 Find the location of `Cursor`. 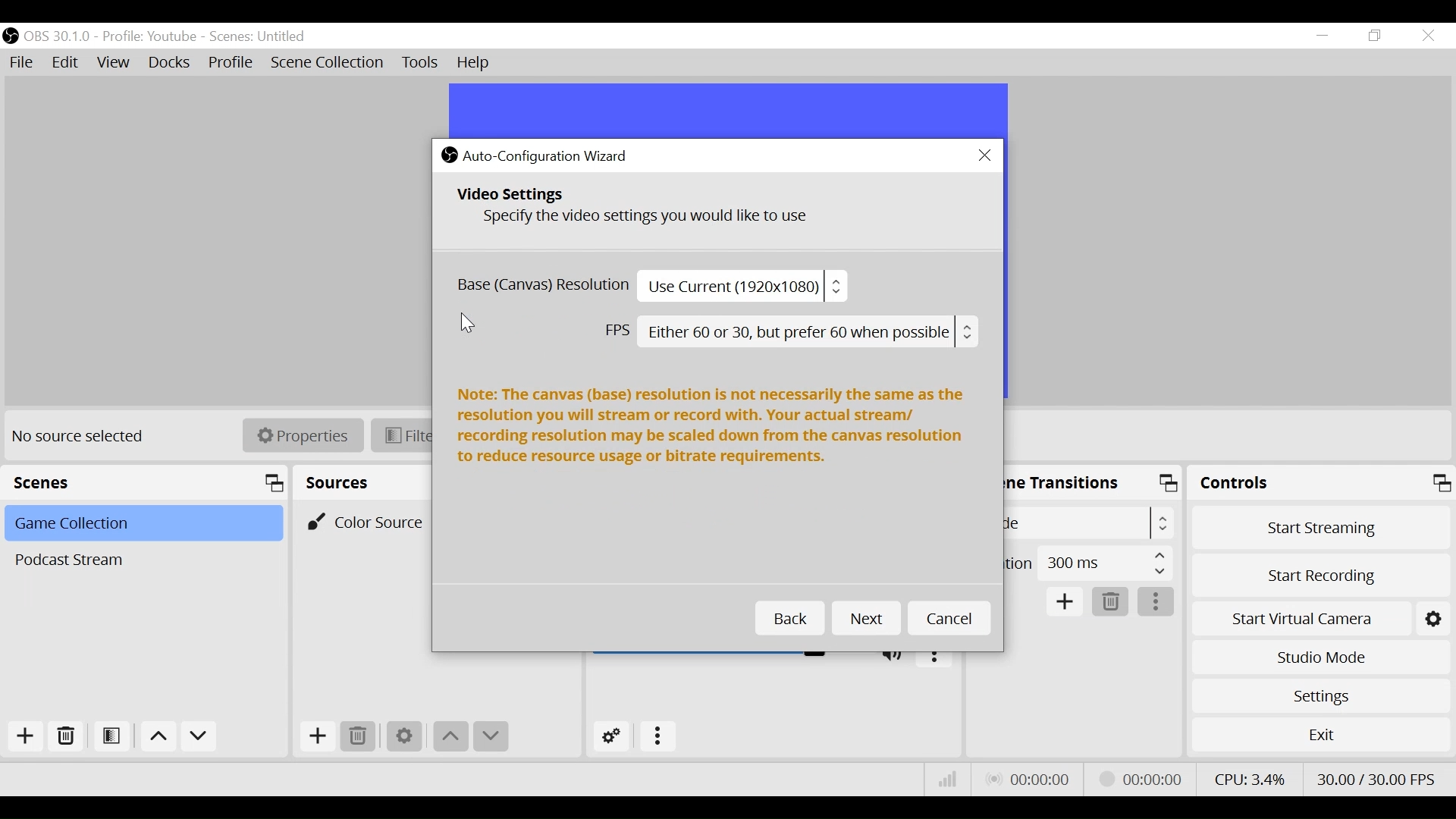

Cursor is located at coordinates (469, 325).